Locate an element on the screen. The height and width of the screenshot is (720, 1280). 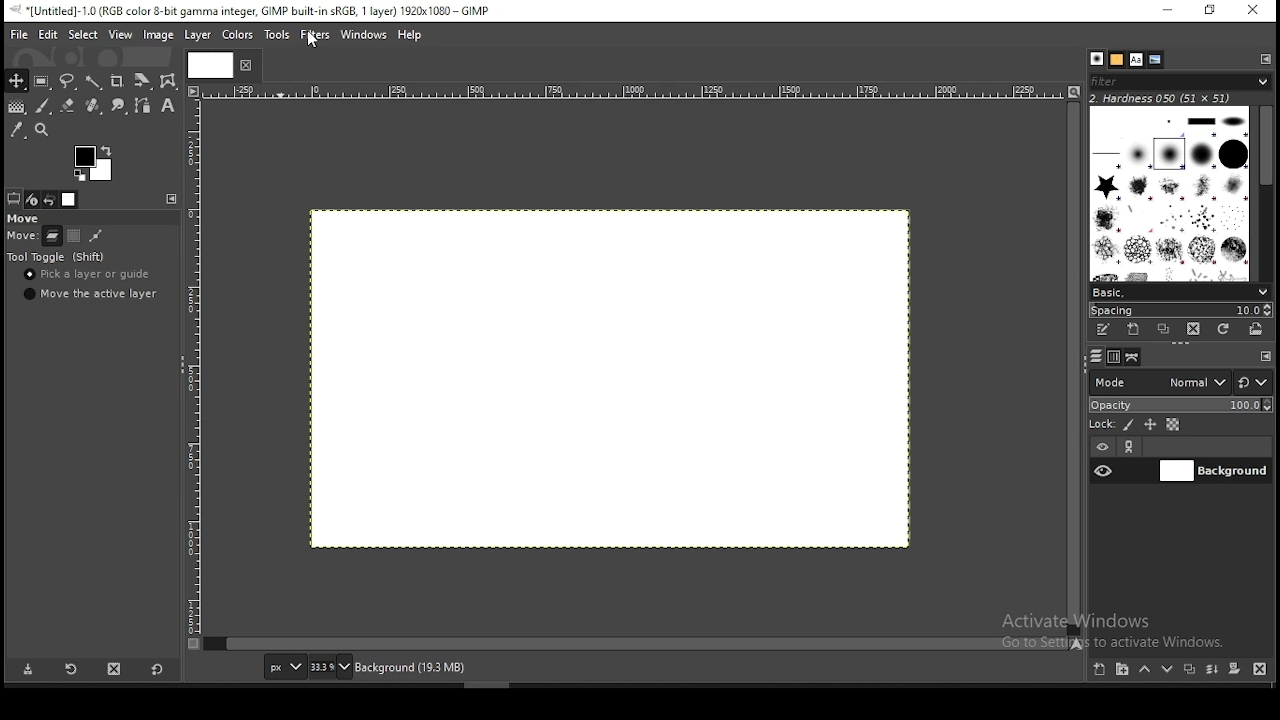
text tool is located at coordinates (168, 106).